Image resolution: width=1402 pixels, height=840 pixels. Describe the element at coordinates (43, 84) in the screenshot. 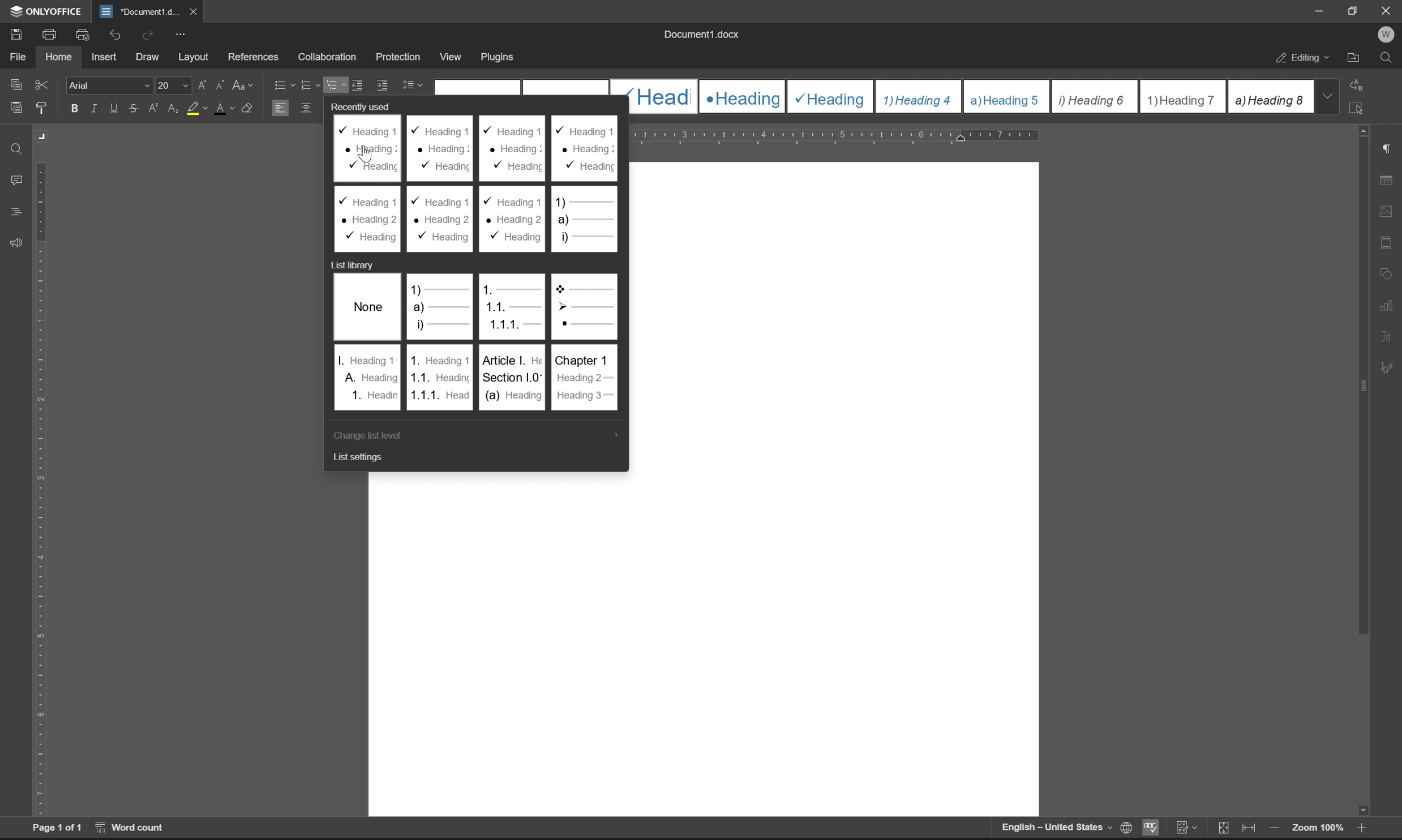

I see `cut` at that location.